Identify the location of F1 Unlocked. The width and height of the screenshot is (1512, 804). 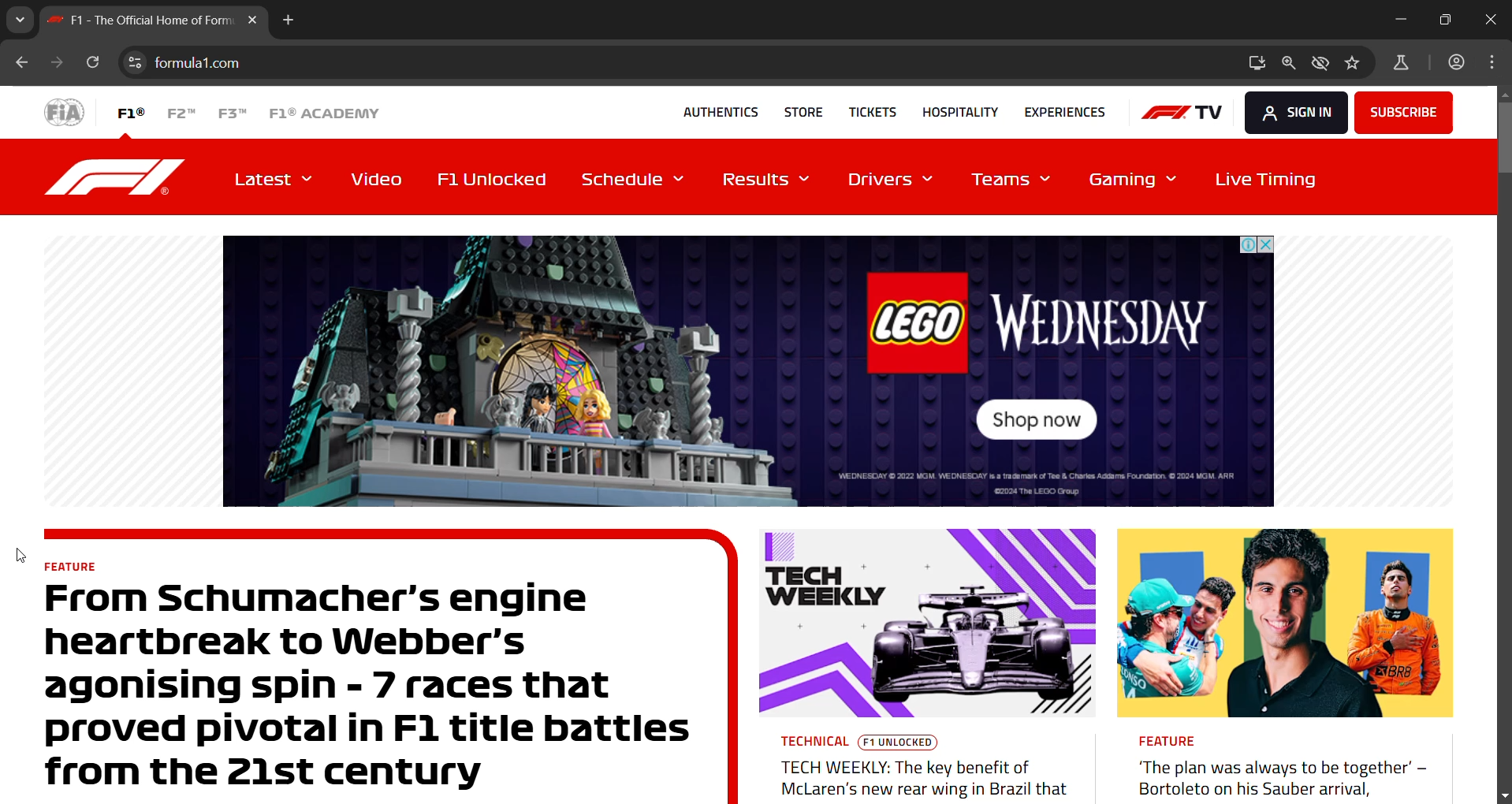
(500, 177).